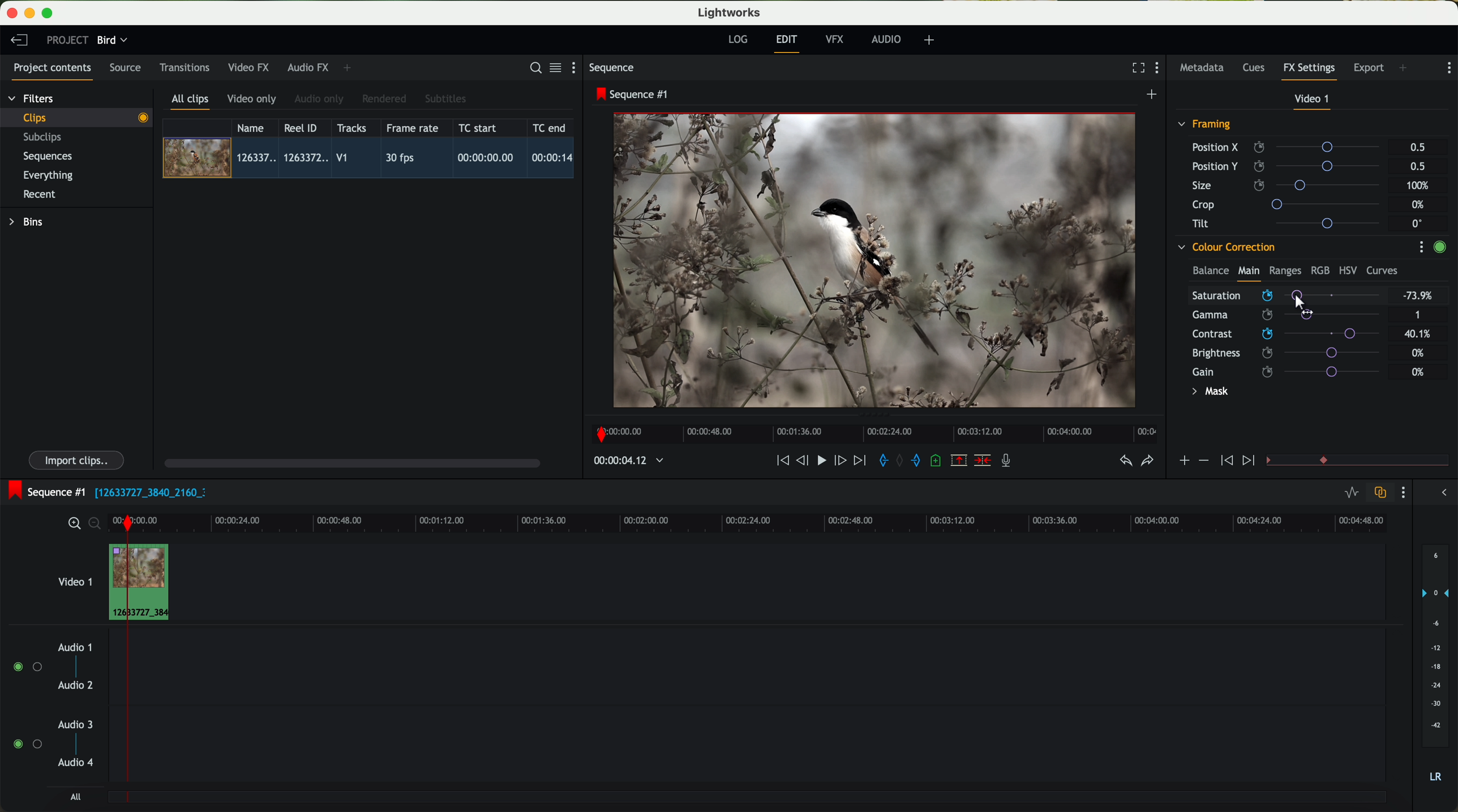  What do you see at coordinates (320, 99) in the screenshot?
I see `audio only` at bounding box center [320, 99].